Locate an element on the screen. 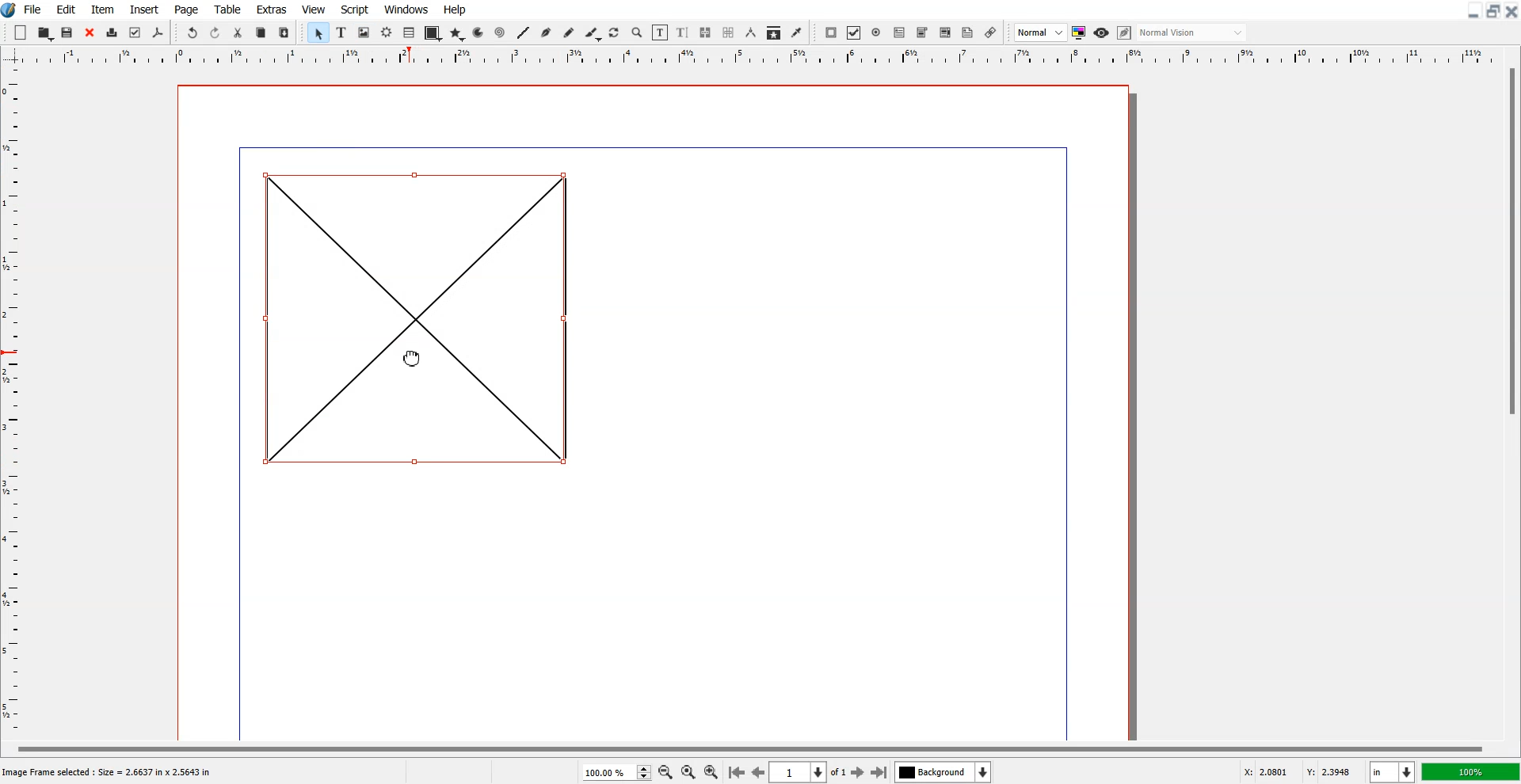 The width and height of the screenshot is (1521, 784). Cursor is located at coordinates (413, 357).